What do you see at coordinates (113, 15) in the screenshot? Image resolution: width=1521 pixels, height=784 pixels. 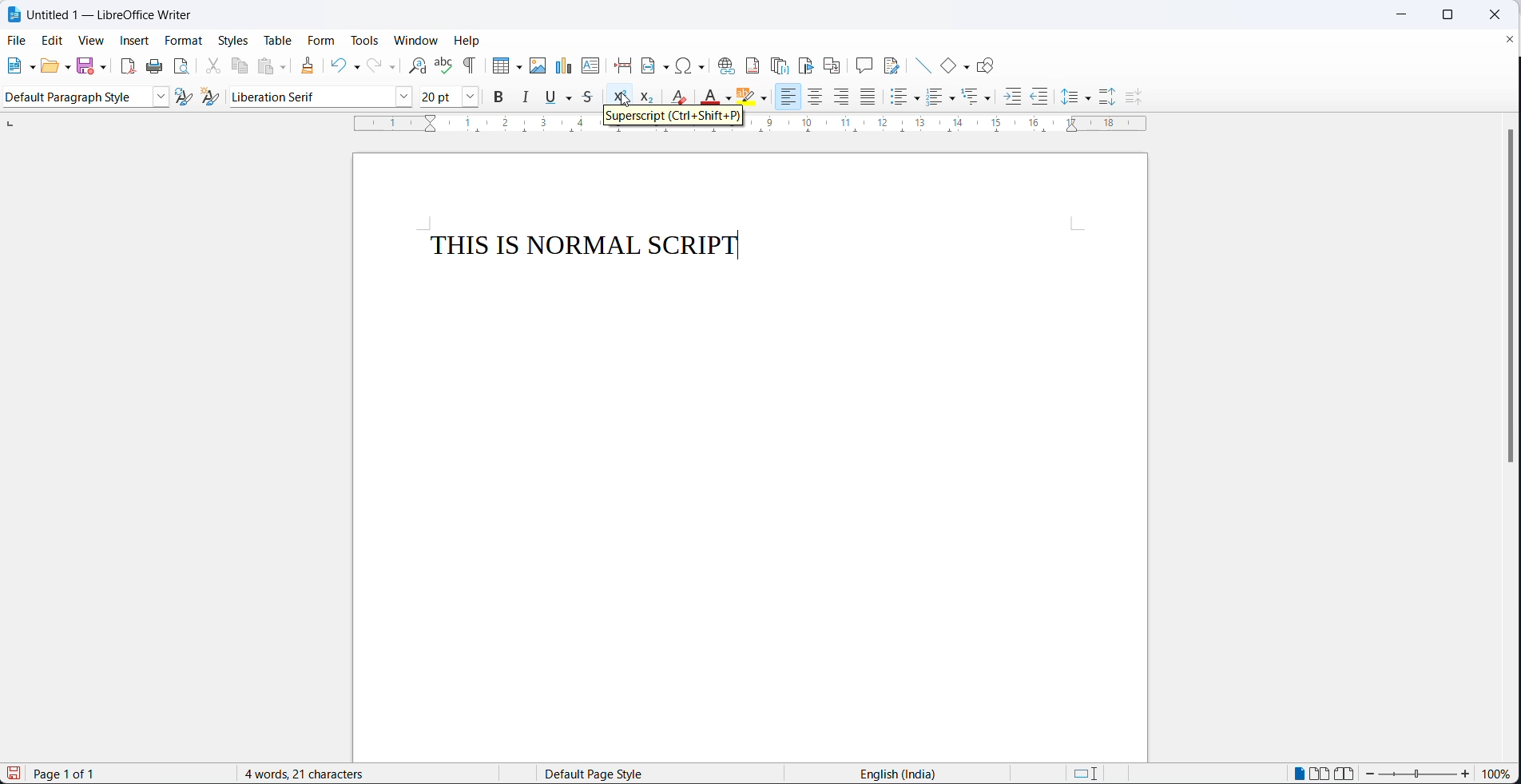 I see `Untitled 1 — LibreOffice Writer` at bounding box center [113, 15].